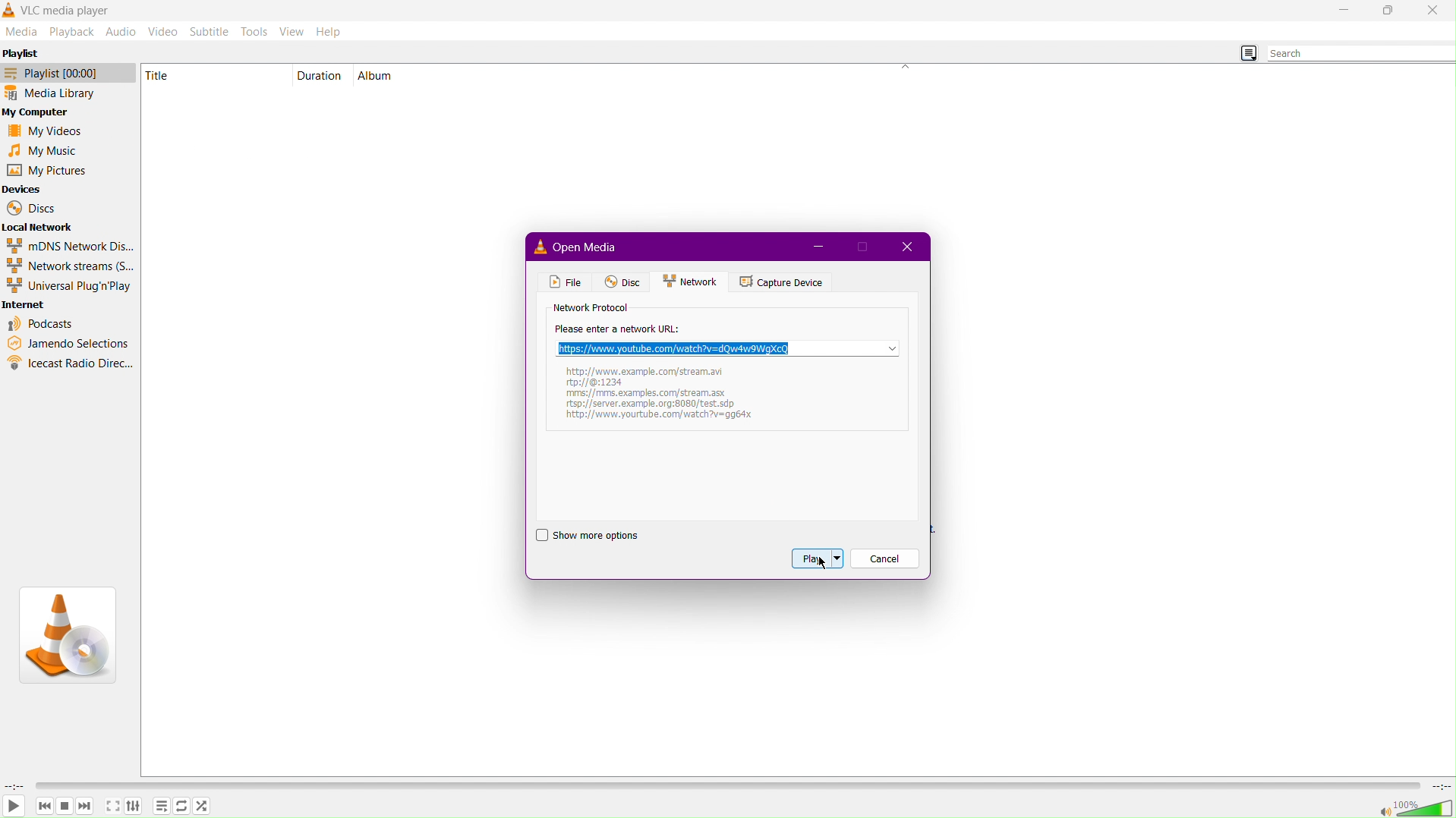 The width and height of the screenshot is (1456, 818). I want to click on mDNS Network Distribution, so click(68, 246).